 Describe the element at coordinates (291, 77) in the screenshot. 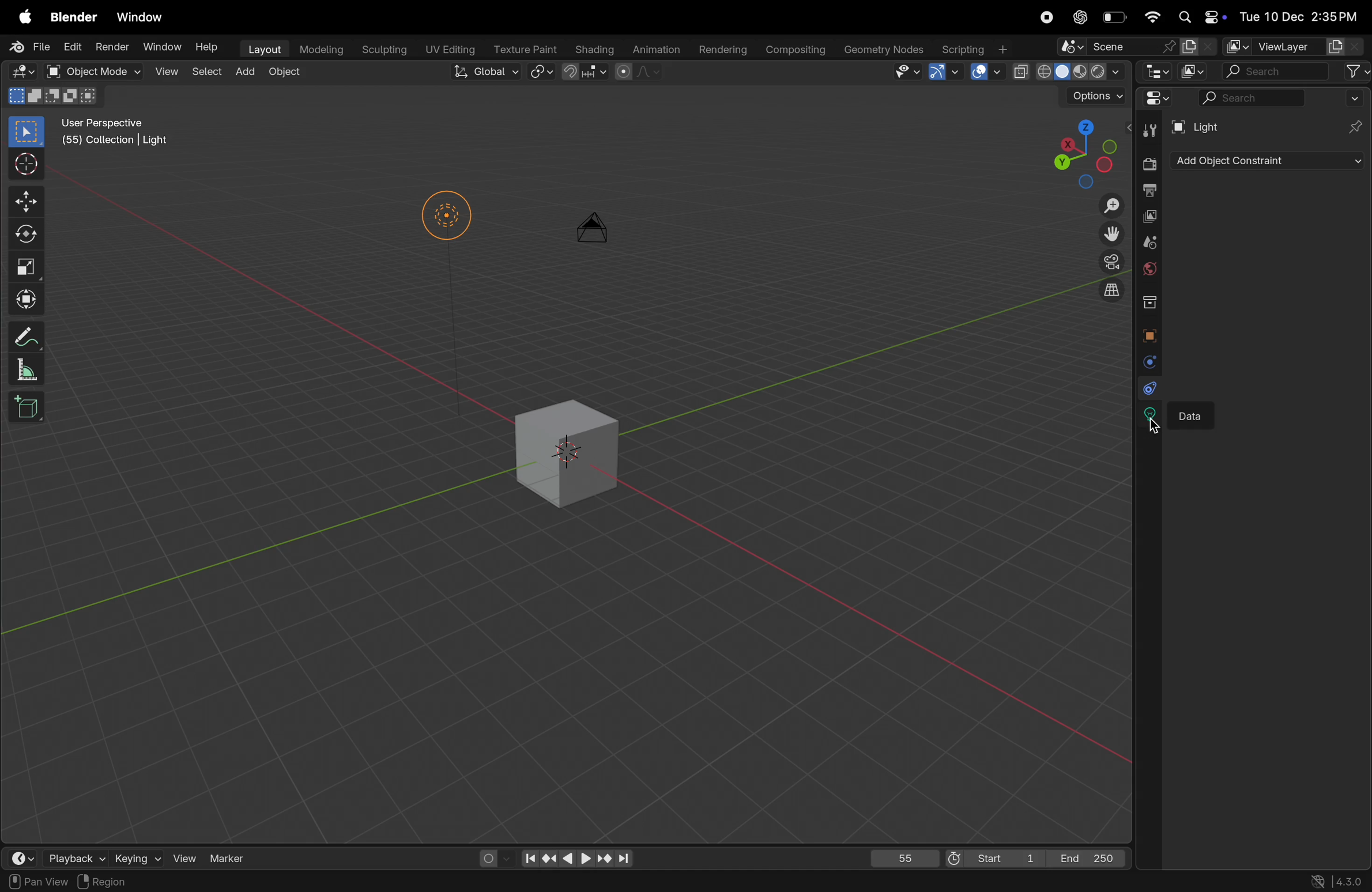

I see `object` at that location.